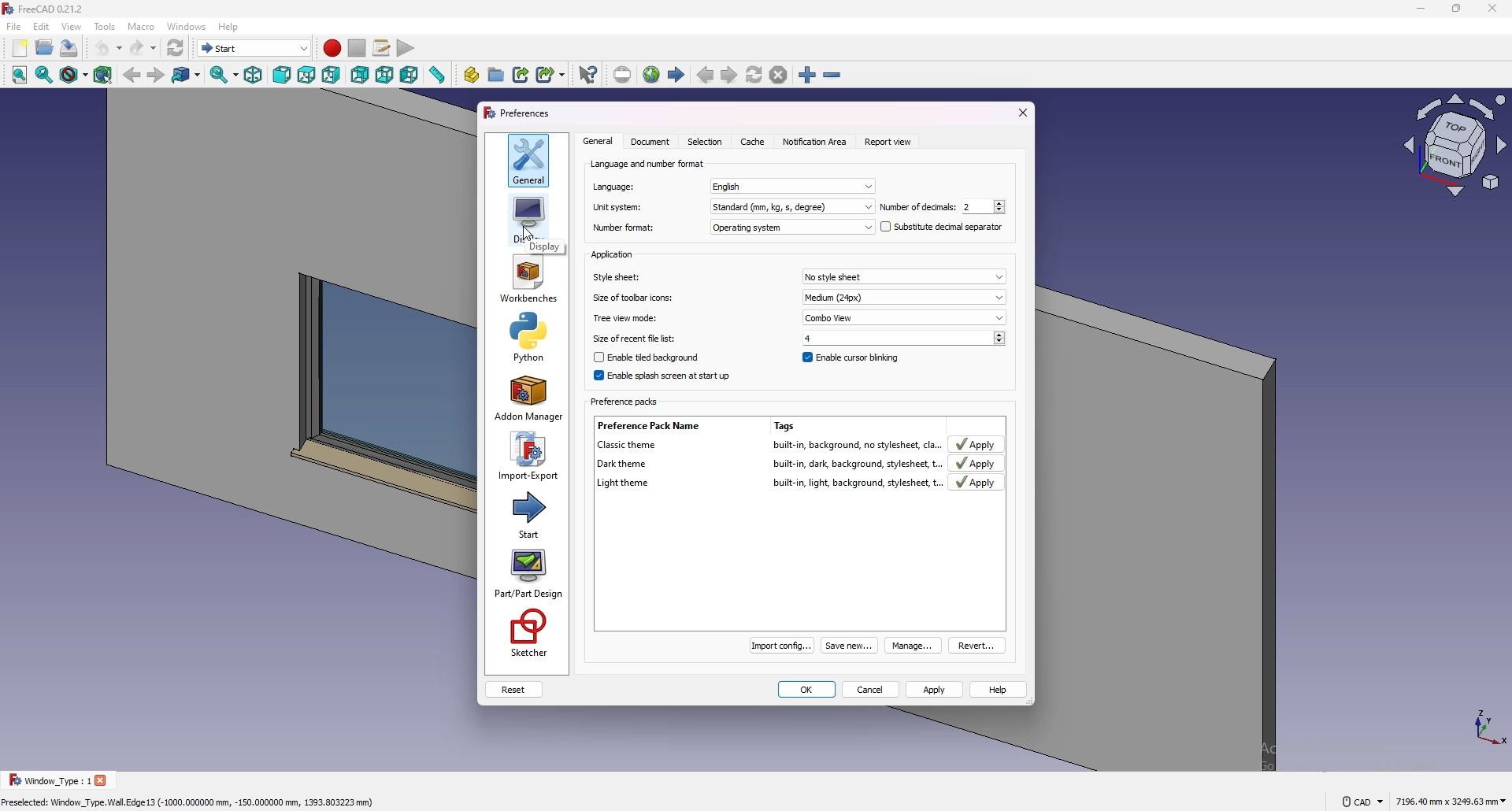 The height and width of the screenshot is (811, 1512). What do you see at coordinates (637, 297) in the screenshot?
I see `Size of toolbar icons:` at bounding box center [637, 297].